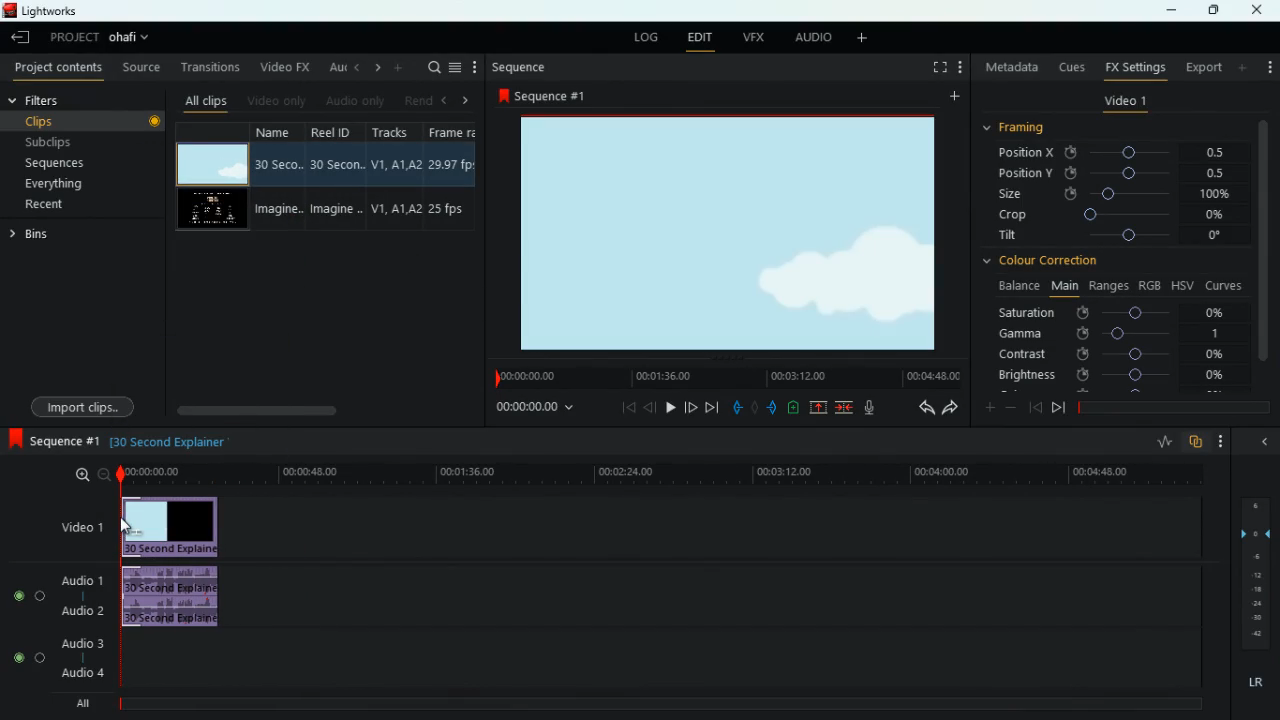 The image size is (1280, 720). Describe the element at coordinates (281, 134) in the screenshot. I see `name` at that location.